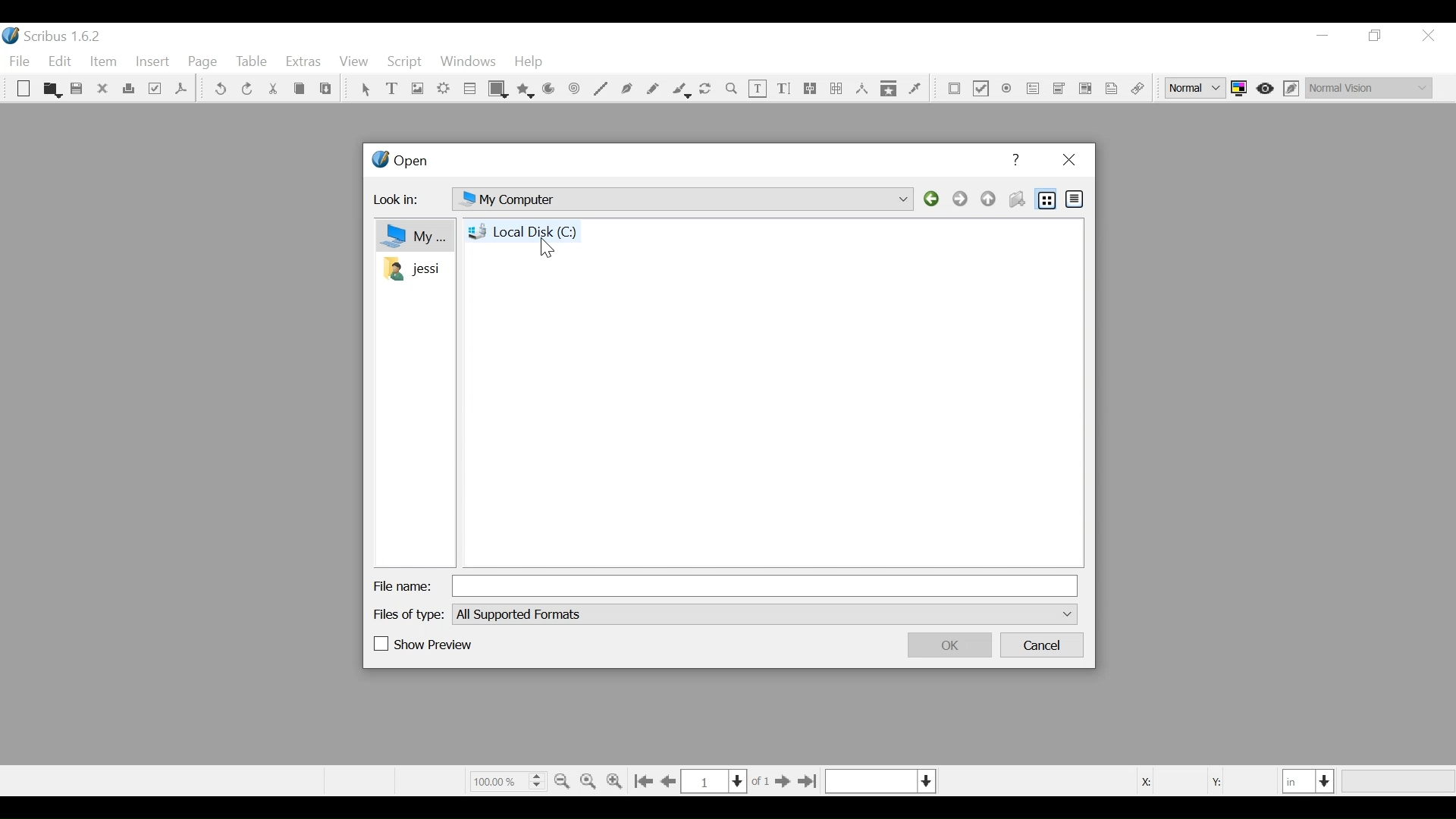 The width and height of the screenshot is (1456, 819). What do you see at coordinates (645, 781) in the screenshot?
I see `Go to first Page` at bounding box center [645, 781].